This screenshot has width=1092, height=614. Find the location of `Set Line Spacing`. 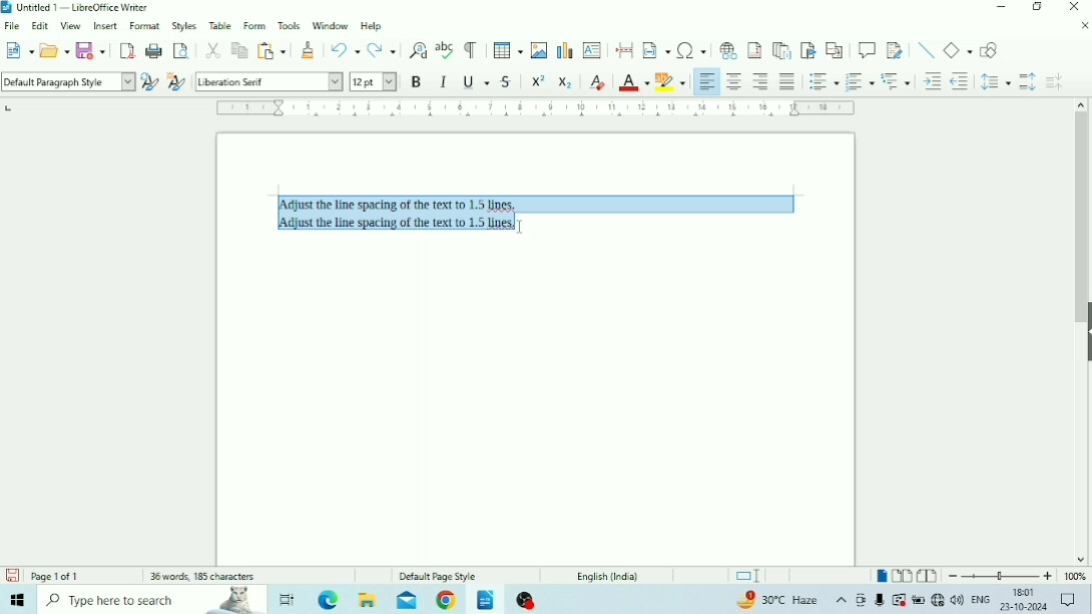

Set Line Spacing is located at coordinates (995, 82).